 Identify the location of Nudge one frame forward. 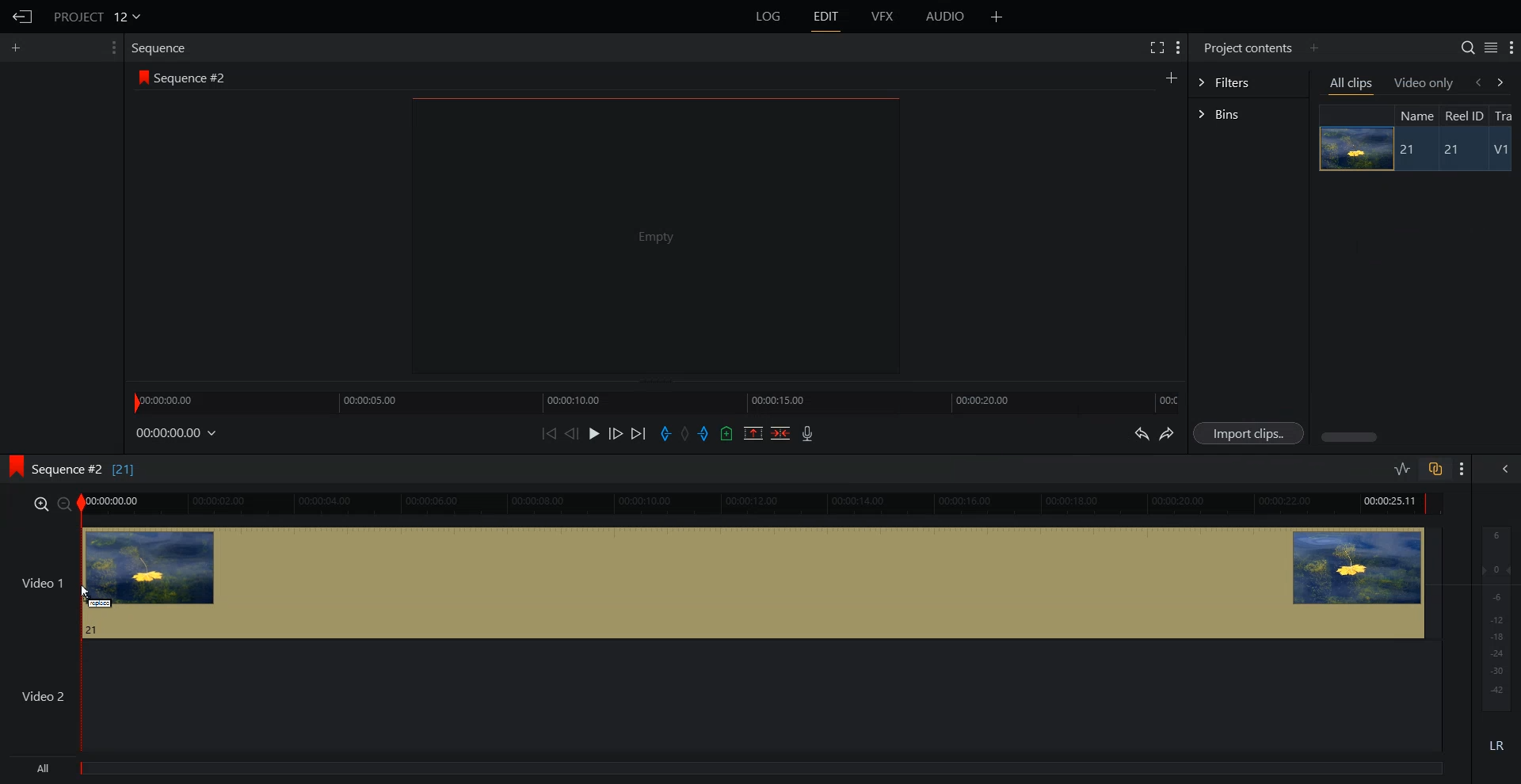
(616, 432).